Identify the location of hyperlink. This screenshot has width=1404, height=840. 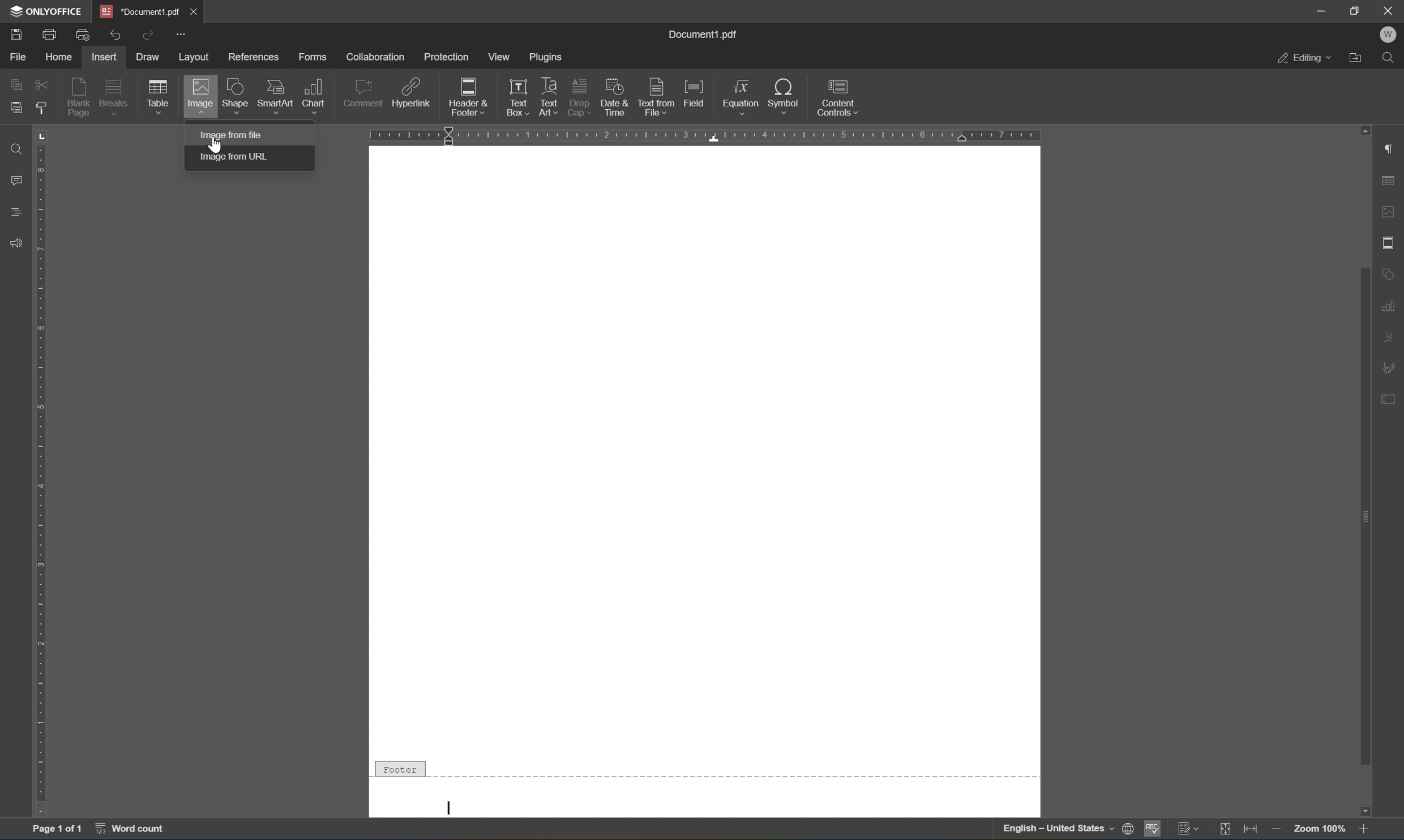
(411, 92).